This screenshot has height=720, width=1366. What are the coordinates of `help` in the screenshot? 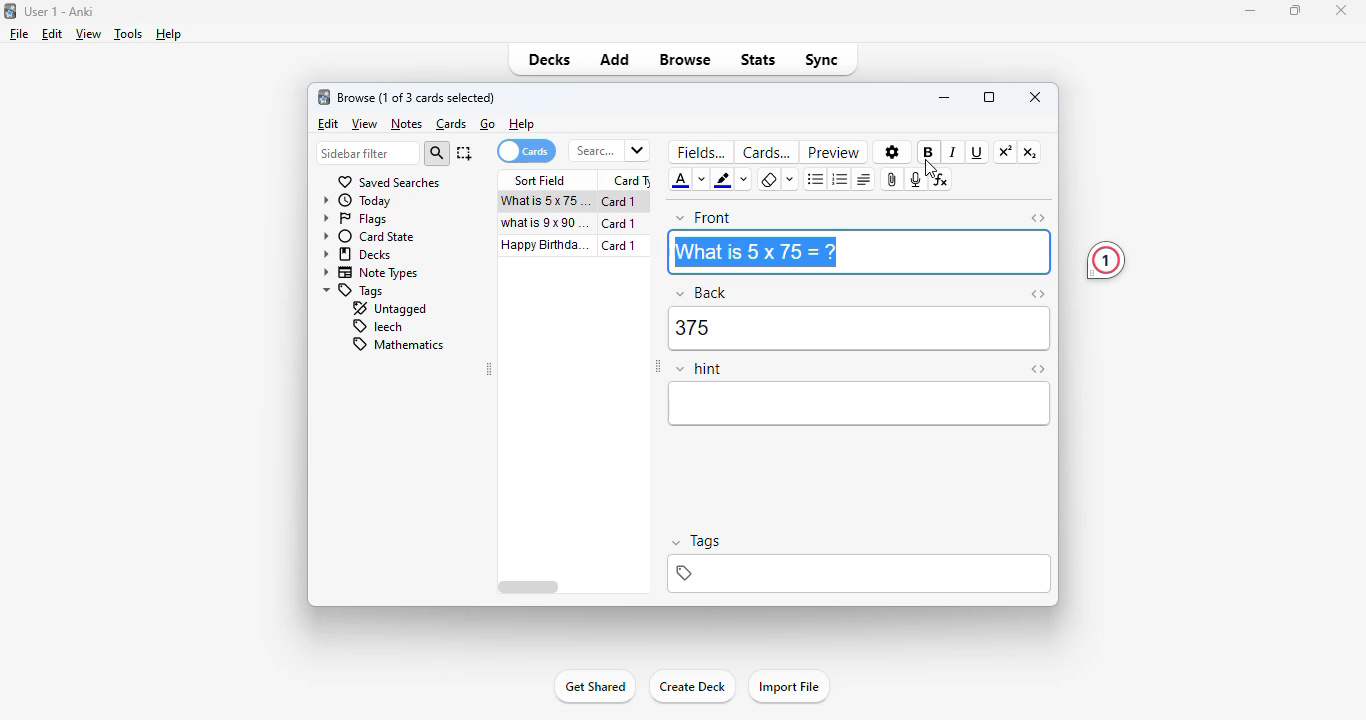 It's located at (169, 35).